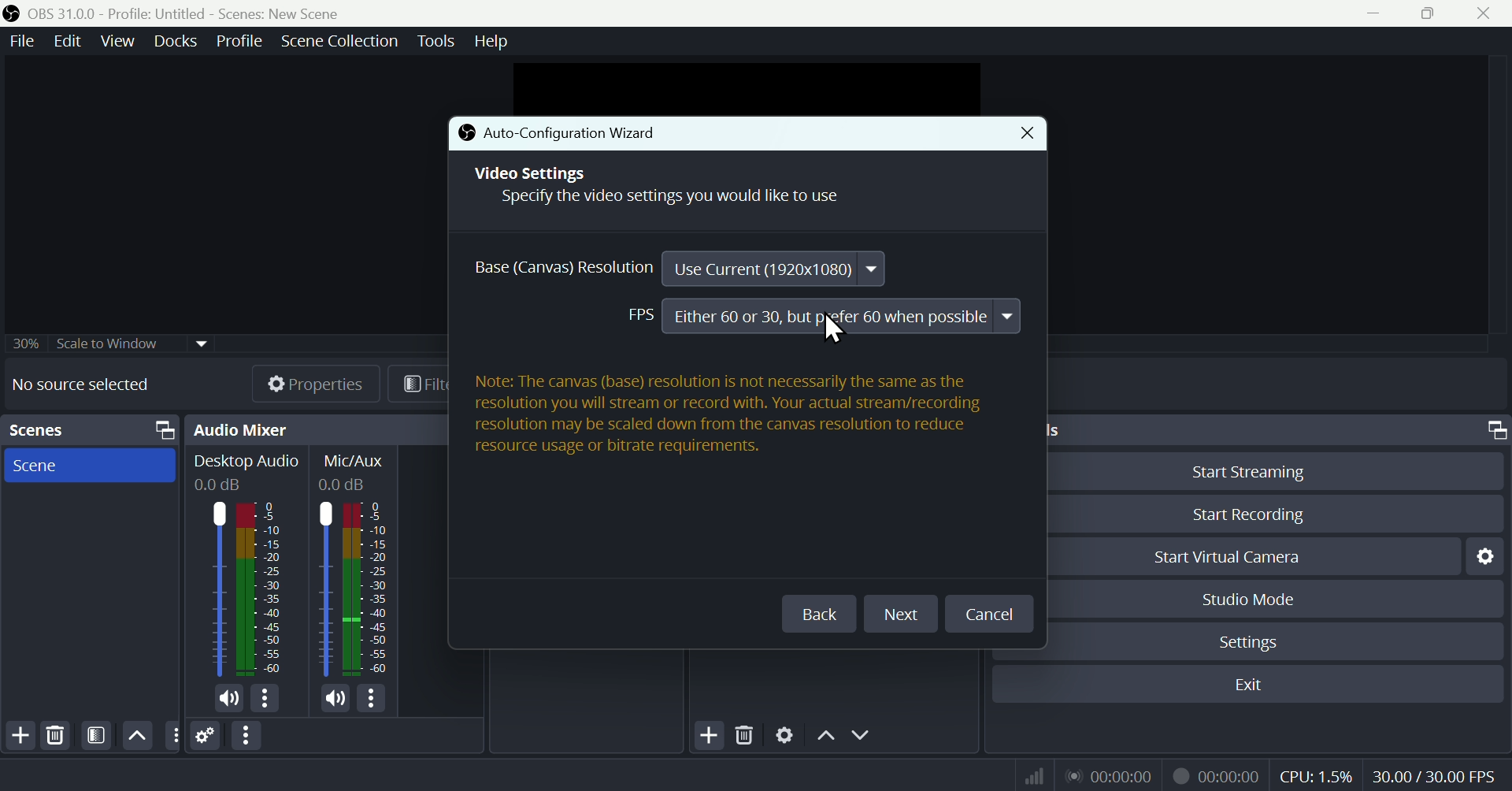 The height and width of the screenshot is (791, 1512). I want to click on Up, so click(825, 734).